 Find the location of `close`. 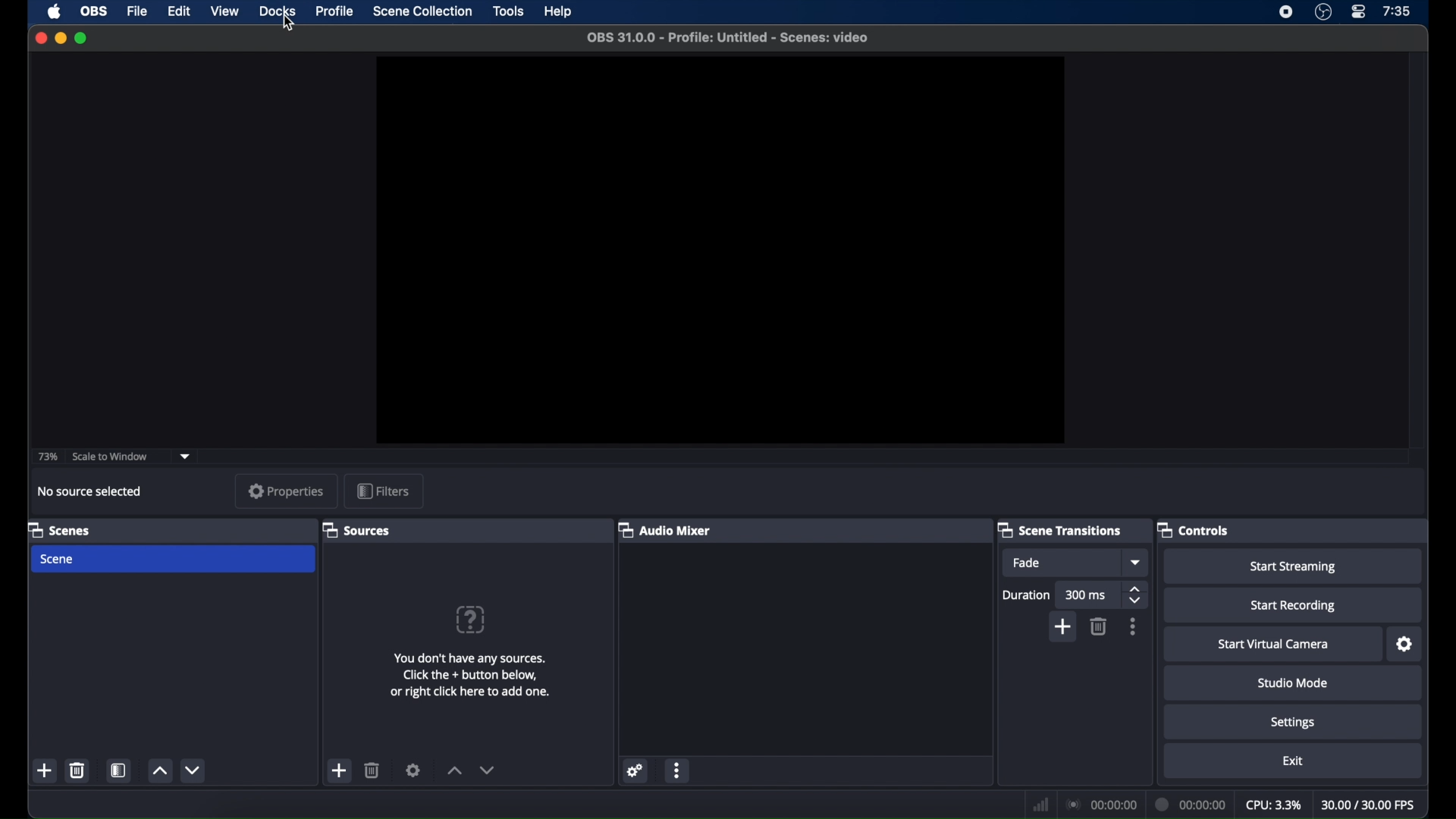

close is located at coordinates (40, 38).